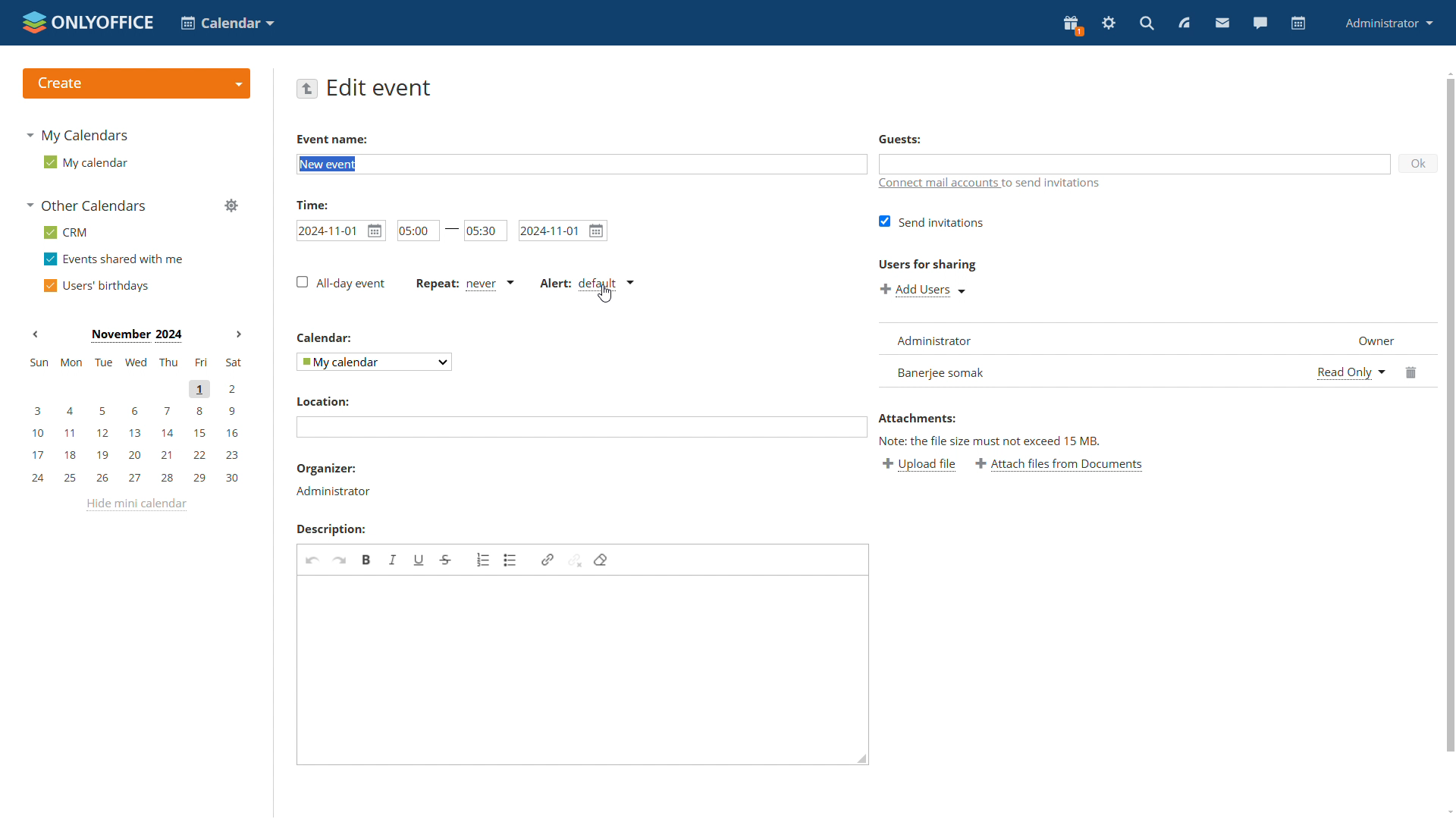 This screenshot has height=819, width=1456. I want to click on remove format, so click(601, 560).